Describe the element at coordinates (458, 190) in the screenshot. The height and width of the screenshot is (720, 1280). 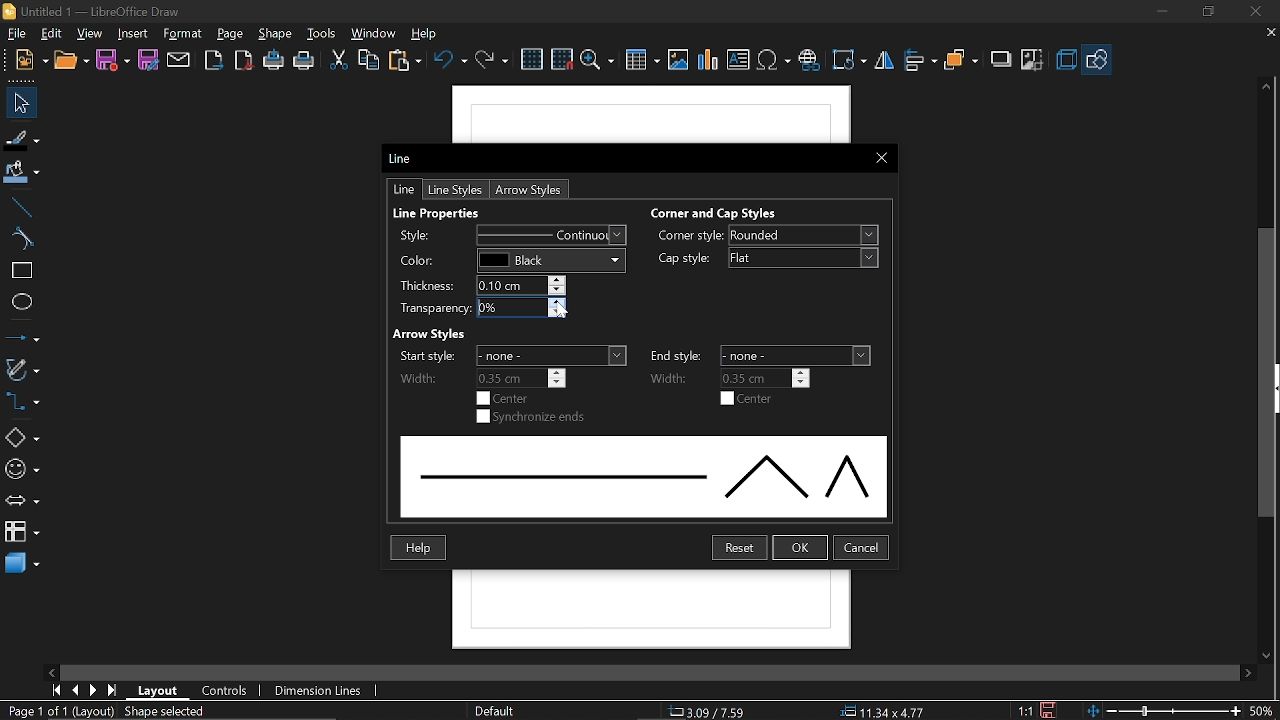
I see `Line styles` at that location.